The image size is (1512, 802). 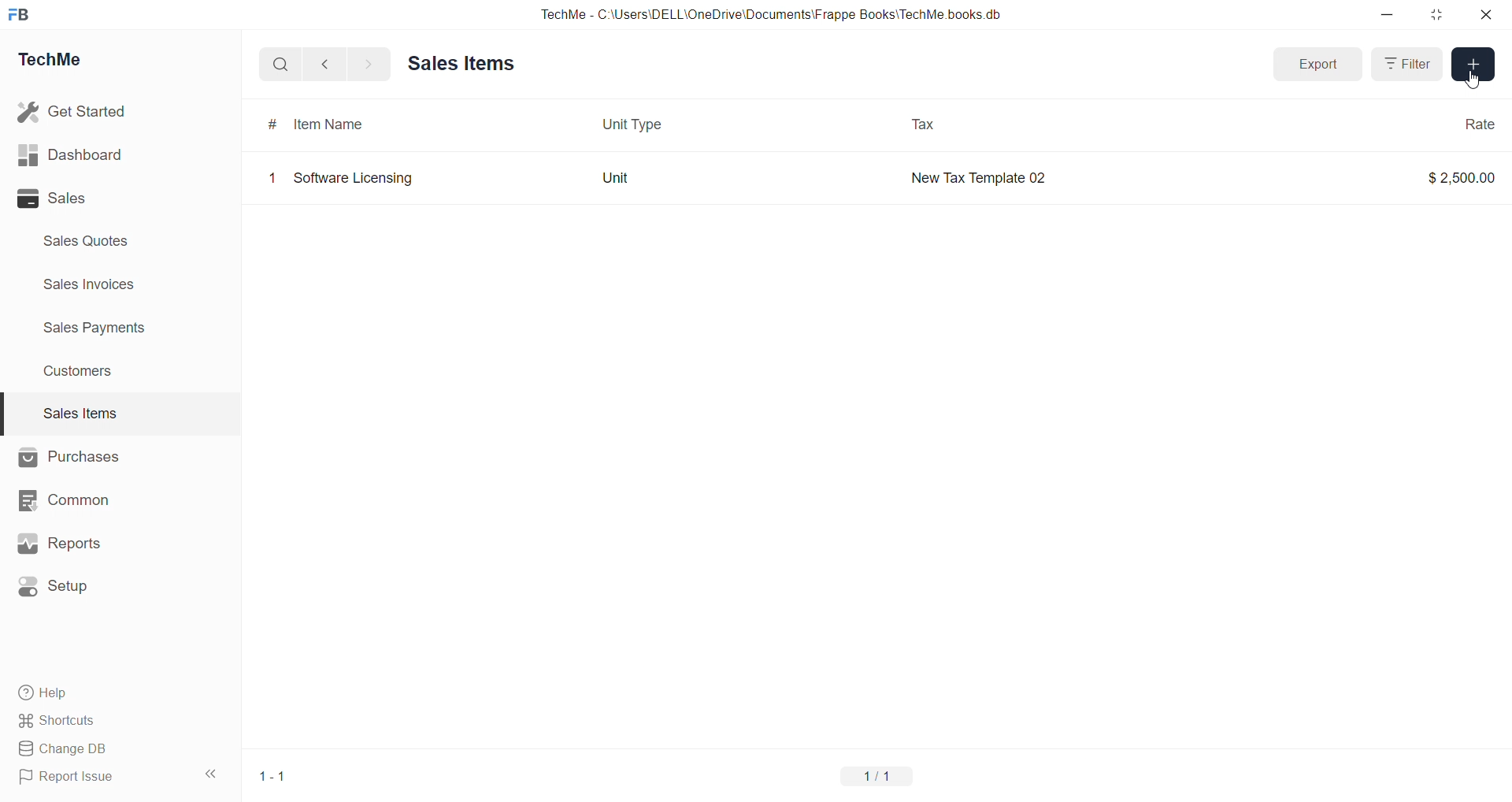 What do you see at coordinates (1487, 14) in the screenshot?
I see `close` at bounding box center [1487, 14].